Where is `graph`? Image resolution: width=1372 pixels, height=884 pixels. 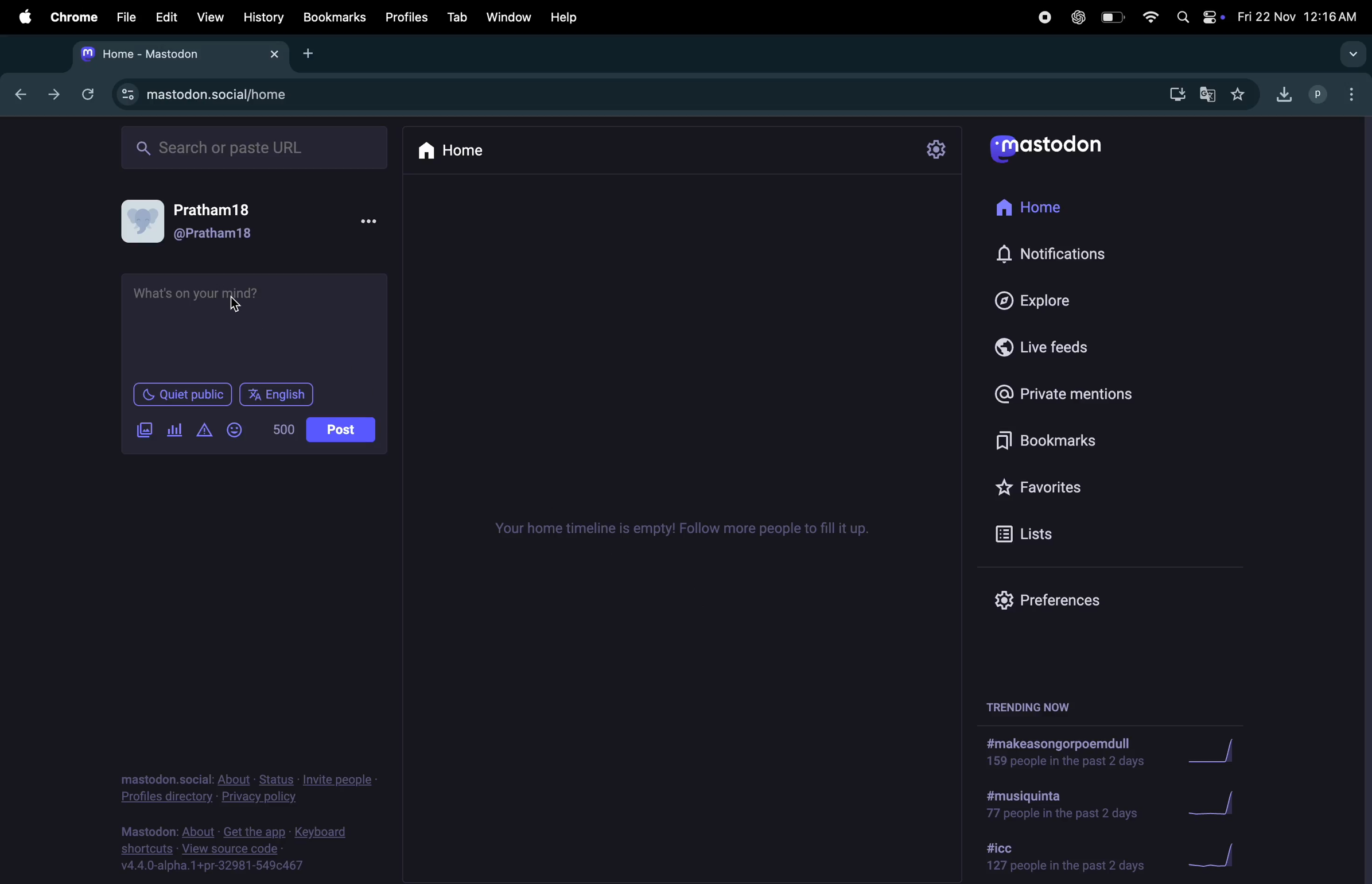
graph is located at coordinates (1219, 859).